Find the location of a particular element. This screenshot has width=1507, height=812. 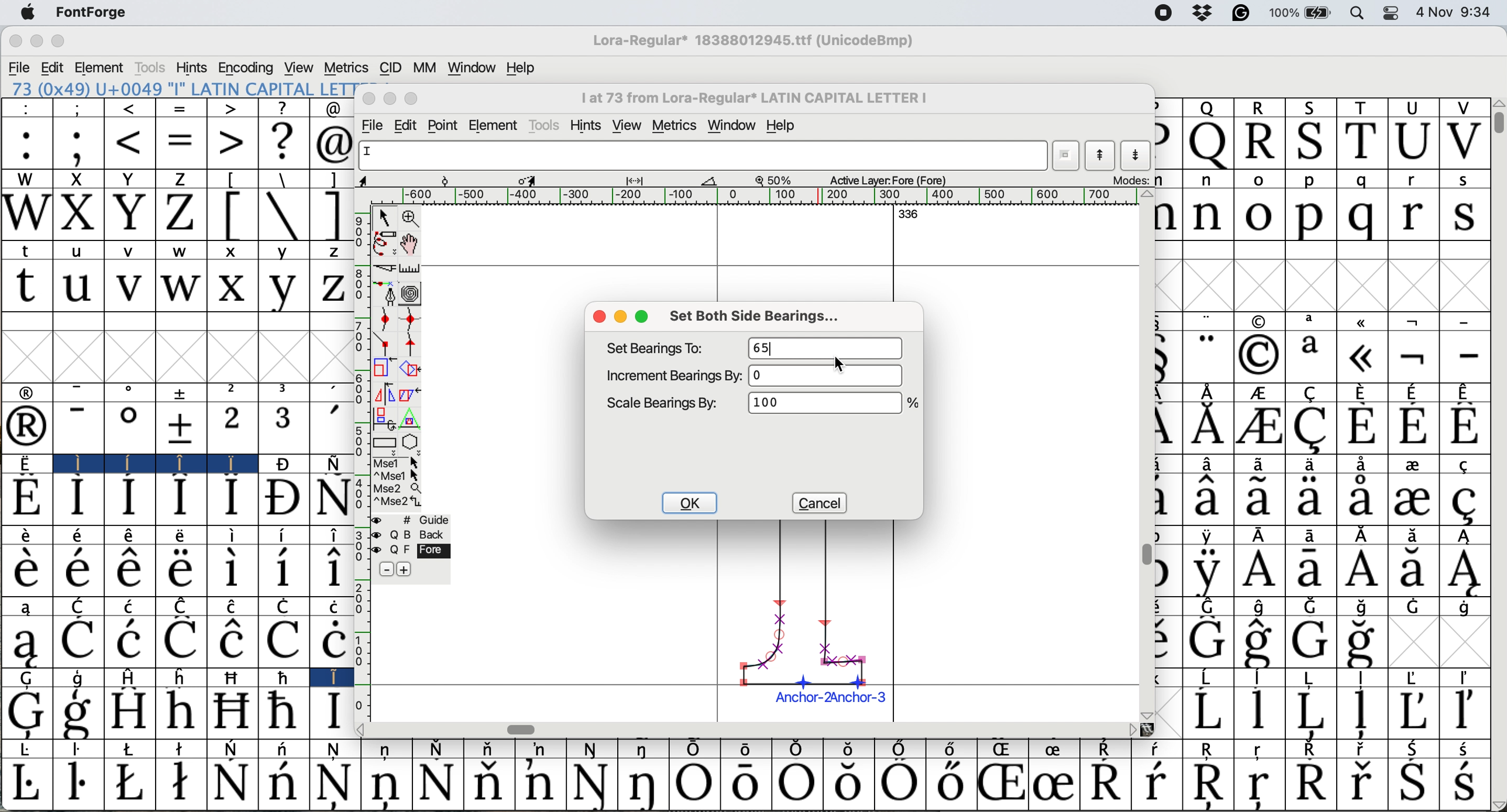

Symbol is located at coordinates (181, 785).